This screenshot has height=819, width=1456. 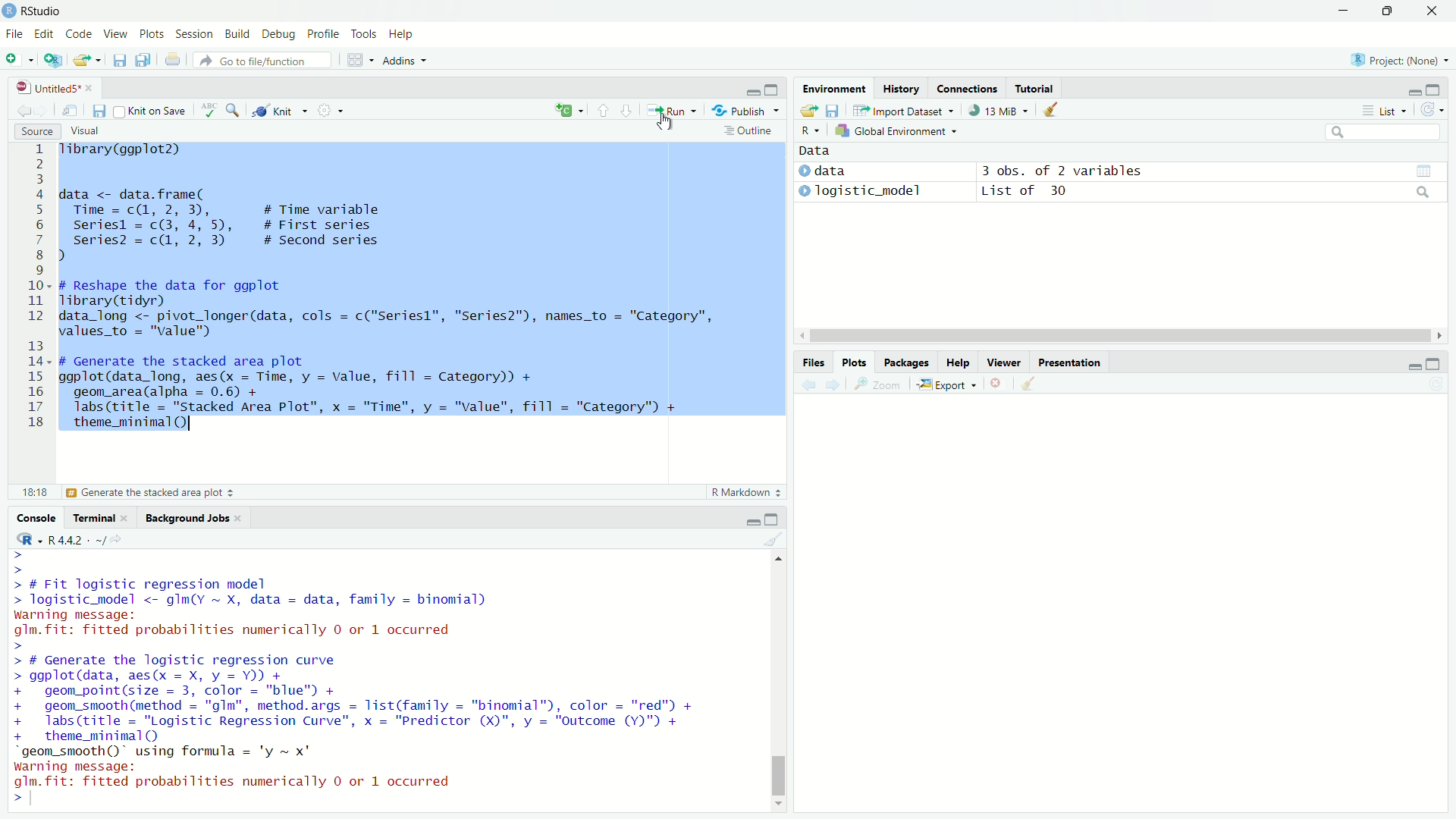 What do you see at coordinates (71, 537) in the screenshot?
I see `«R442 -` at bounding box center [71, 537].